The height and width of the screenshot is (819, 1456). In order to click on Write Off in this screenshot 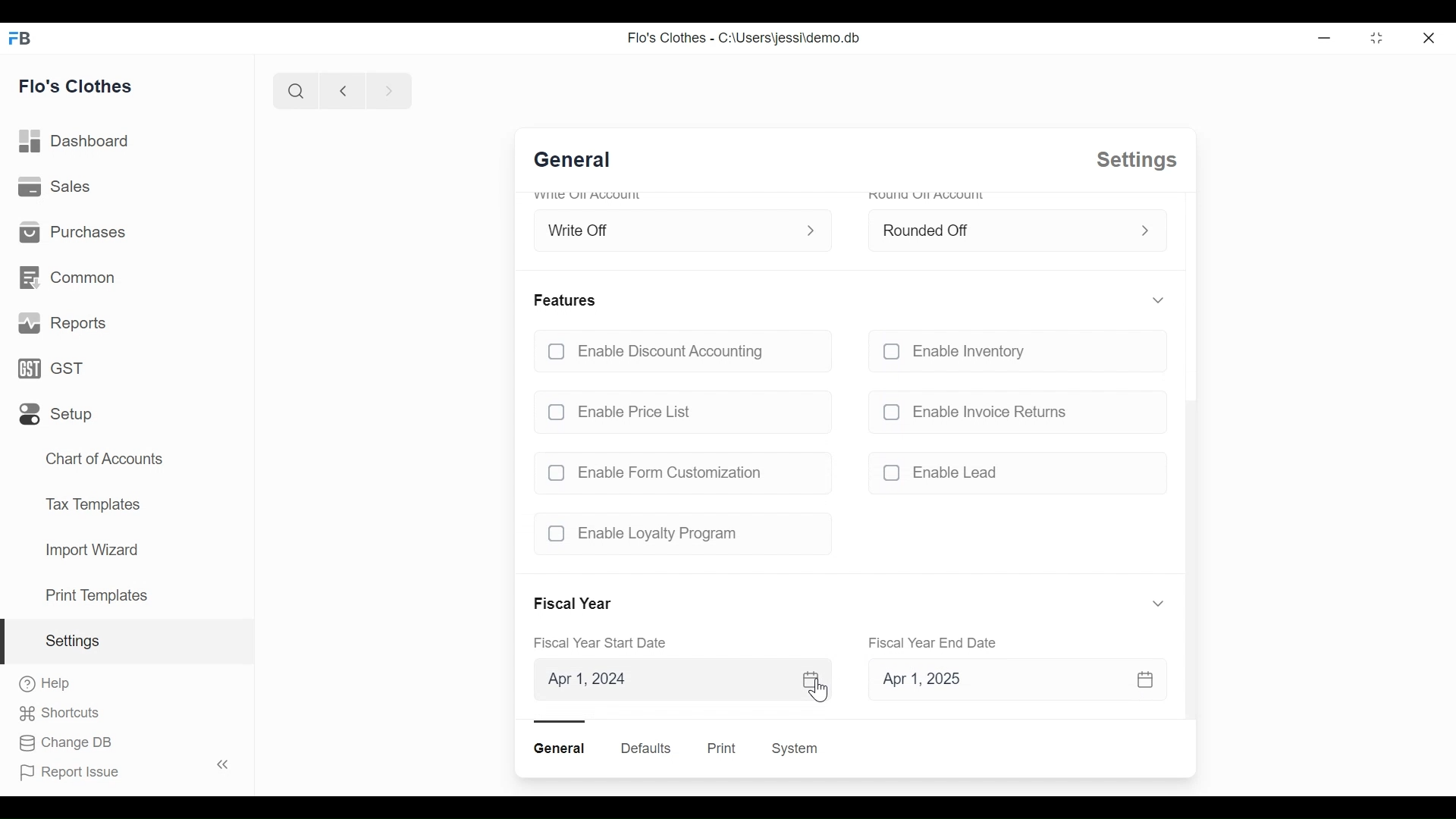, I will do `click(667, 227)`.